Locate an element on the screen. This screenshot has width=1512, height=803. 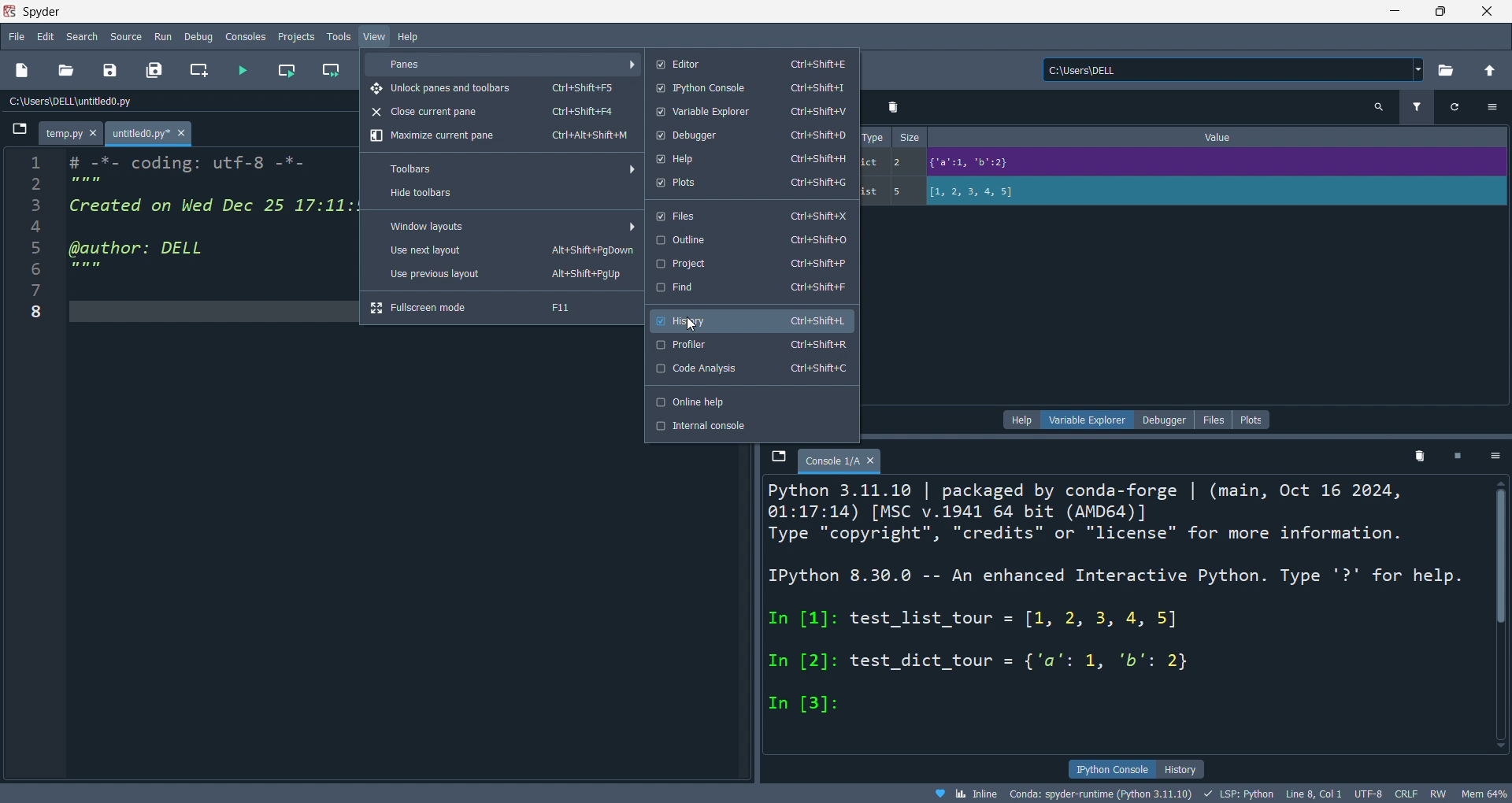
maximize is located at coordinates (1441, 10).